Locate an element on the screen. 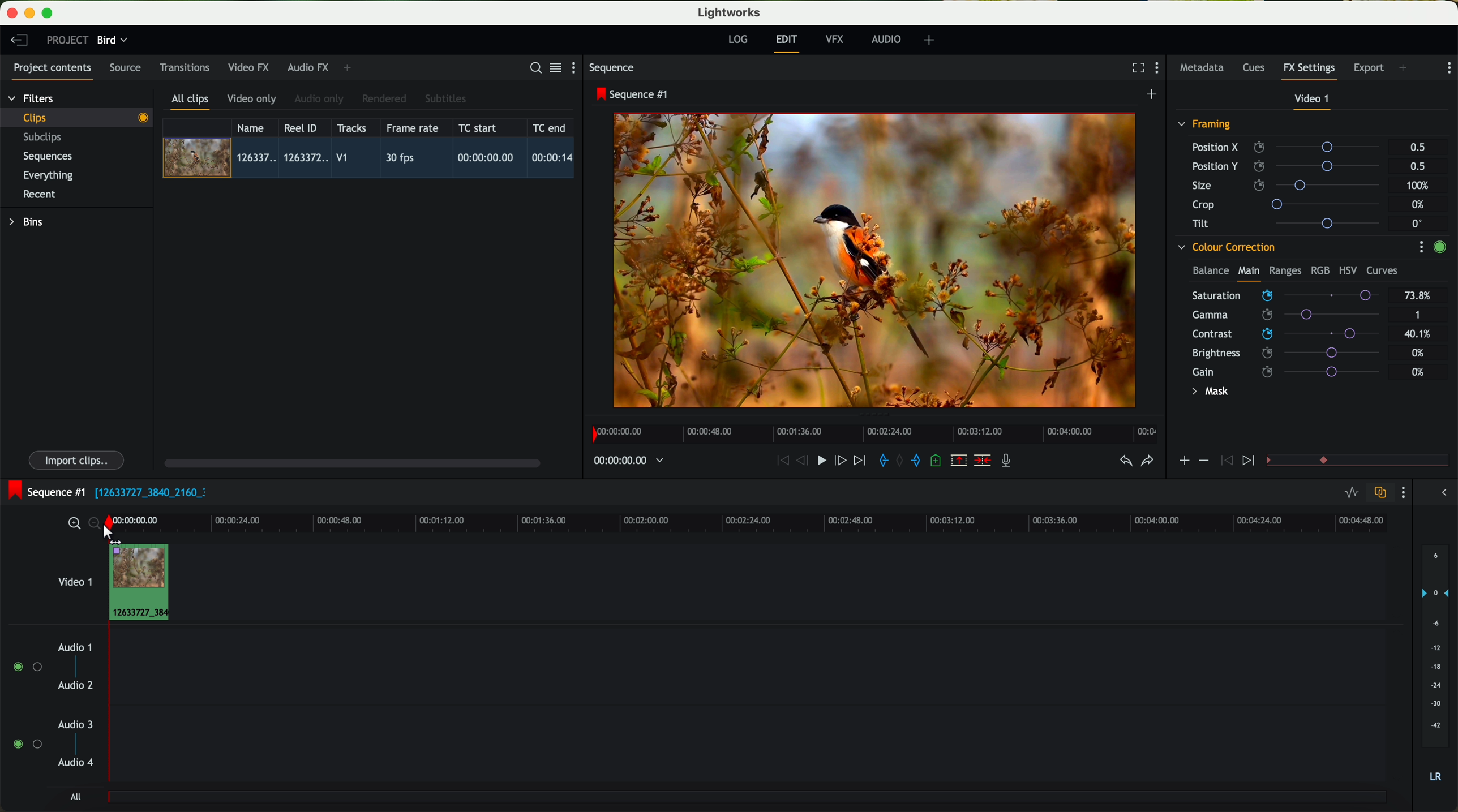  leave is located at coordinates (19, 41).